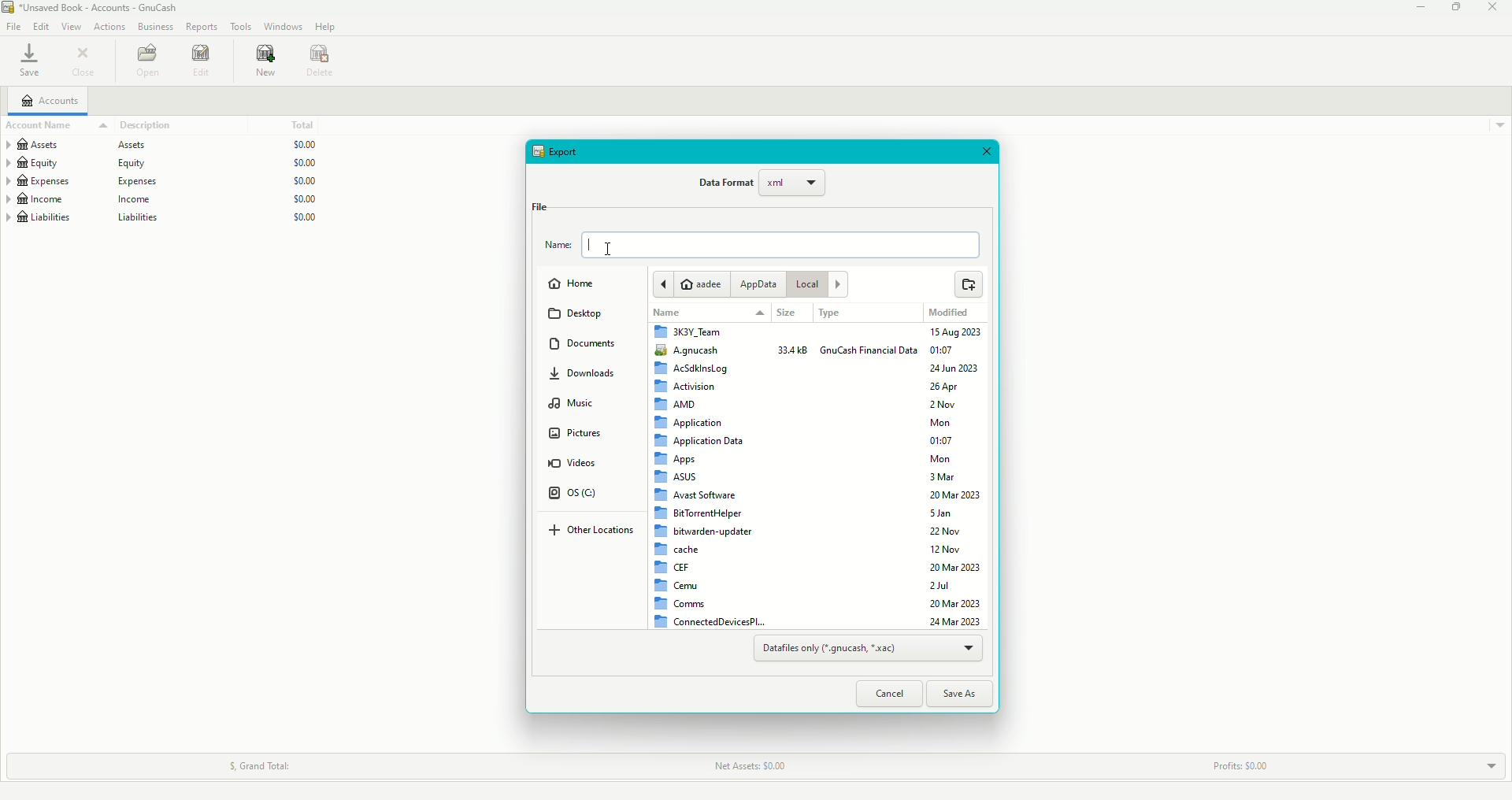  I want to click on Business, so click(154, 28).